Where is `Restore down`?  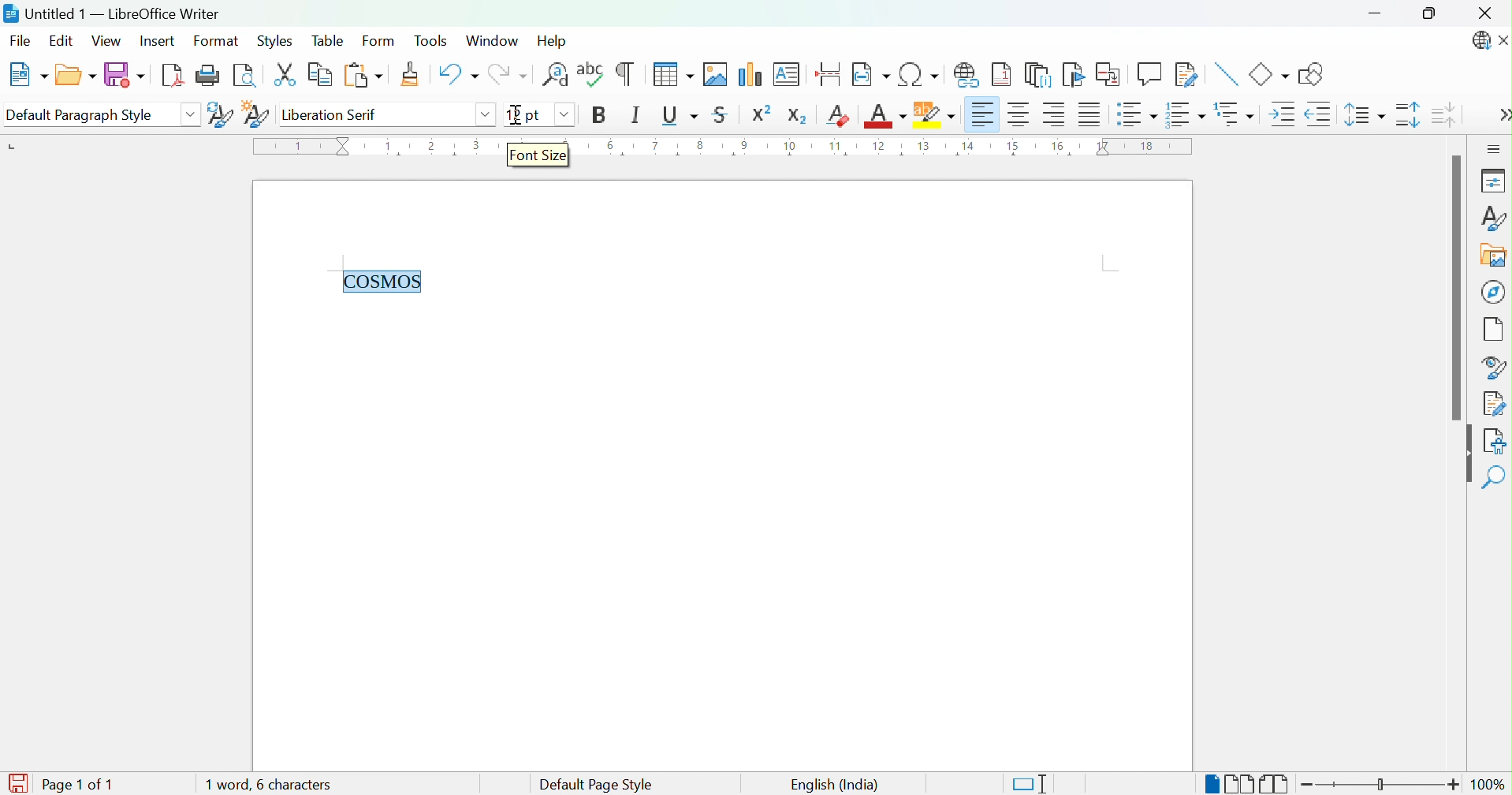 Restore down is located at coordinates (1431, 15).